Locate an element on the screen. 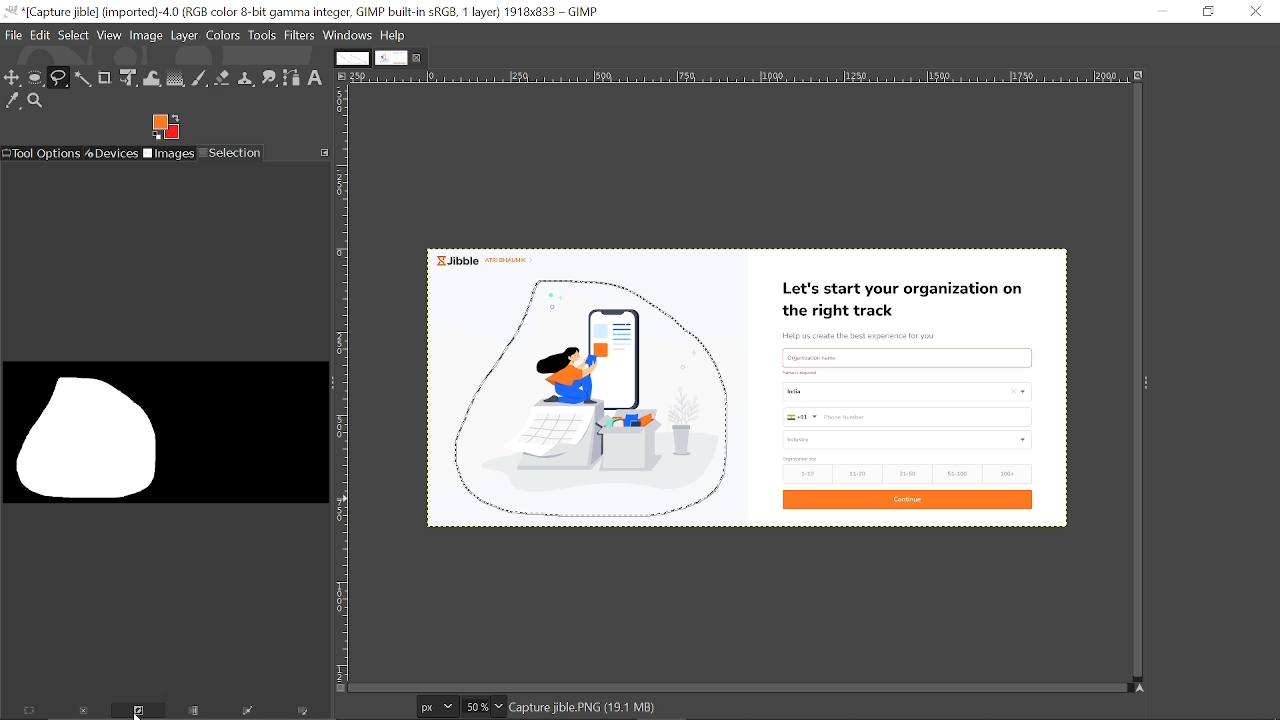  Path tool is located at coordinates (293, 78).